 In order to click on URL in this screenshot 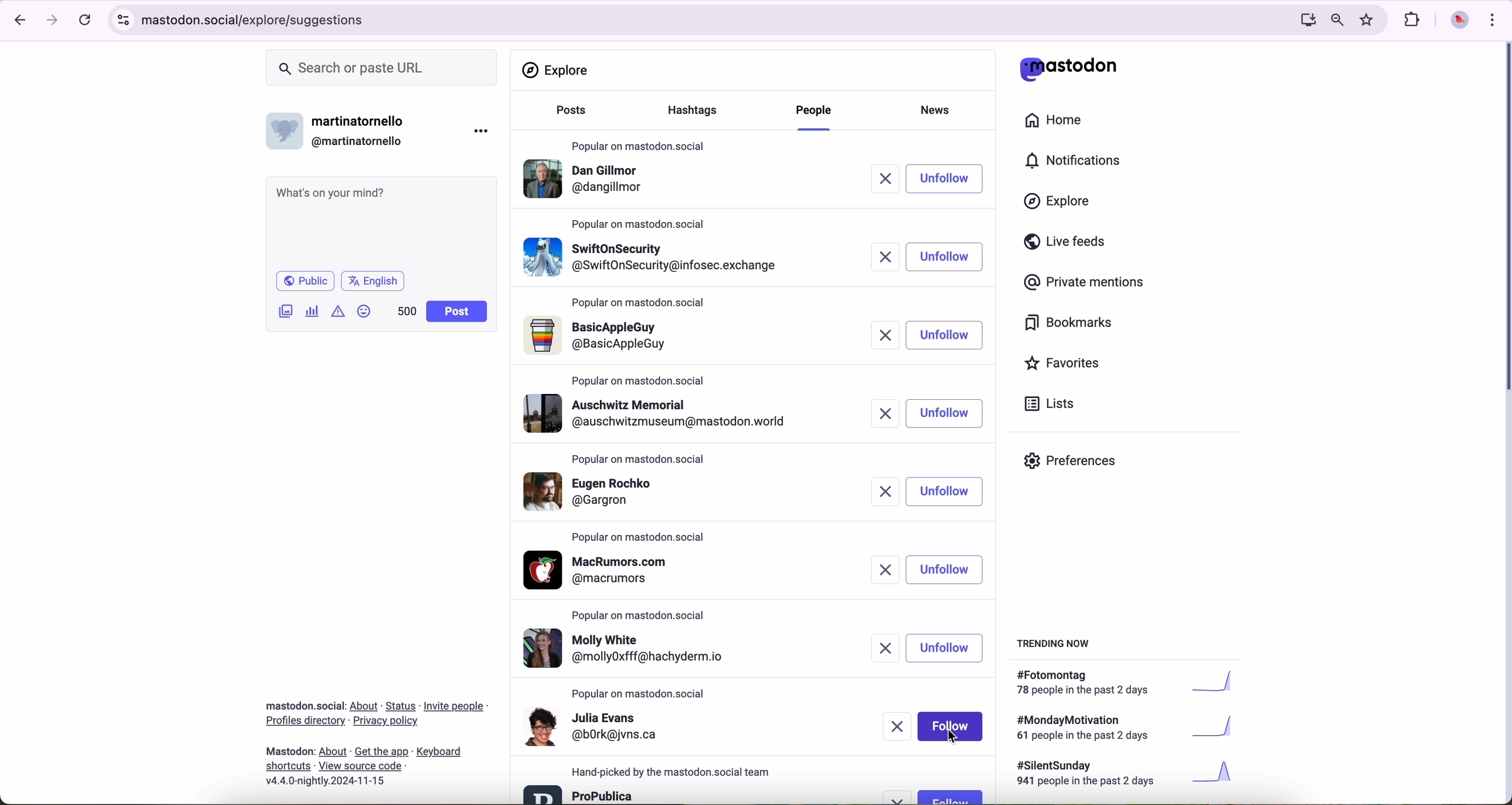, I will do `click(258, 18)`.